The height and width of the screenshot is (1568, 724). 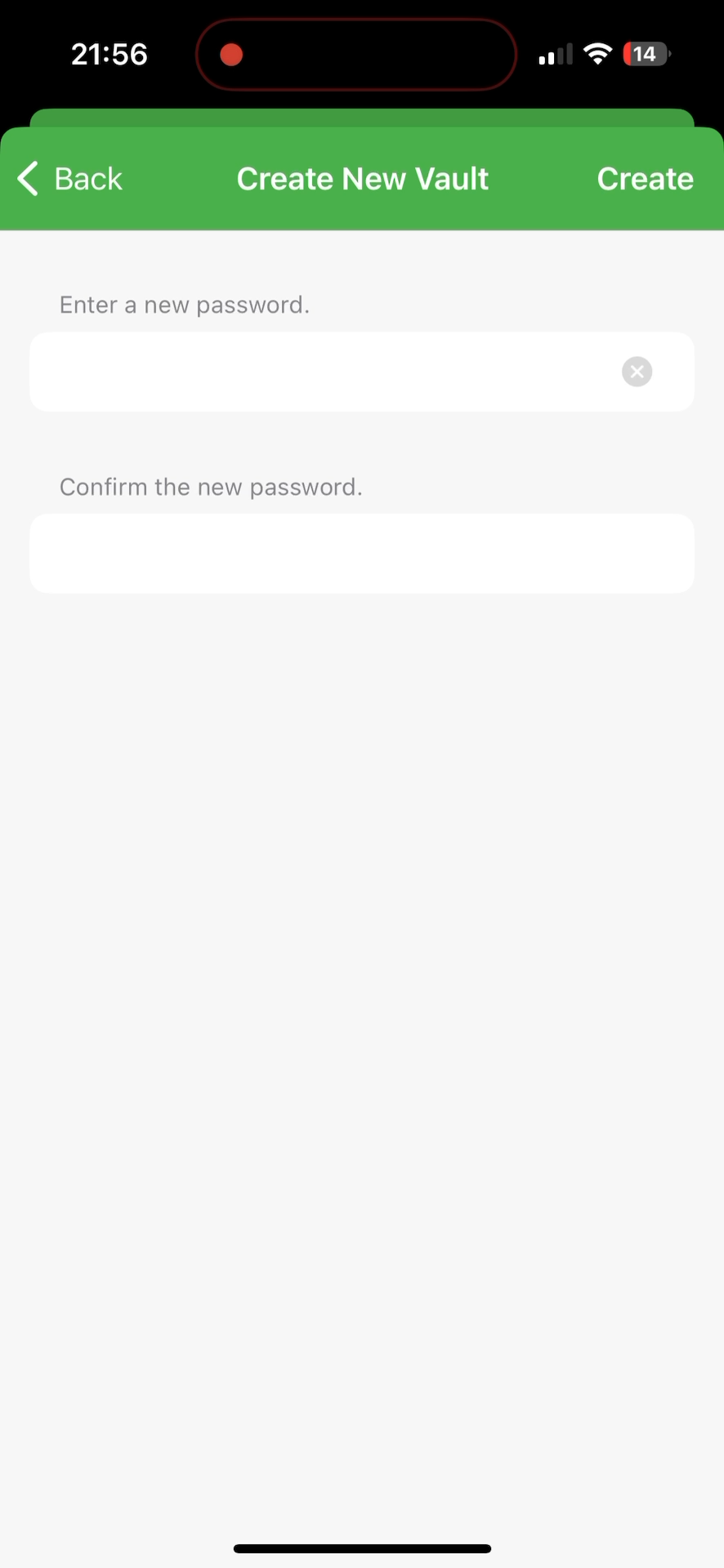 What do you see at coordinates (216, 485) in the screenshot?
I see `confirm the new password` at bounding box center [216, 485].